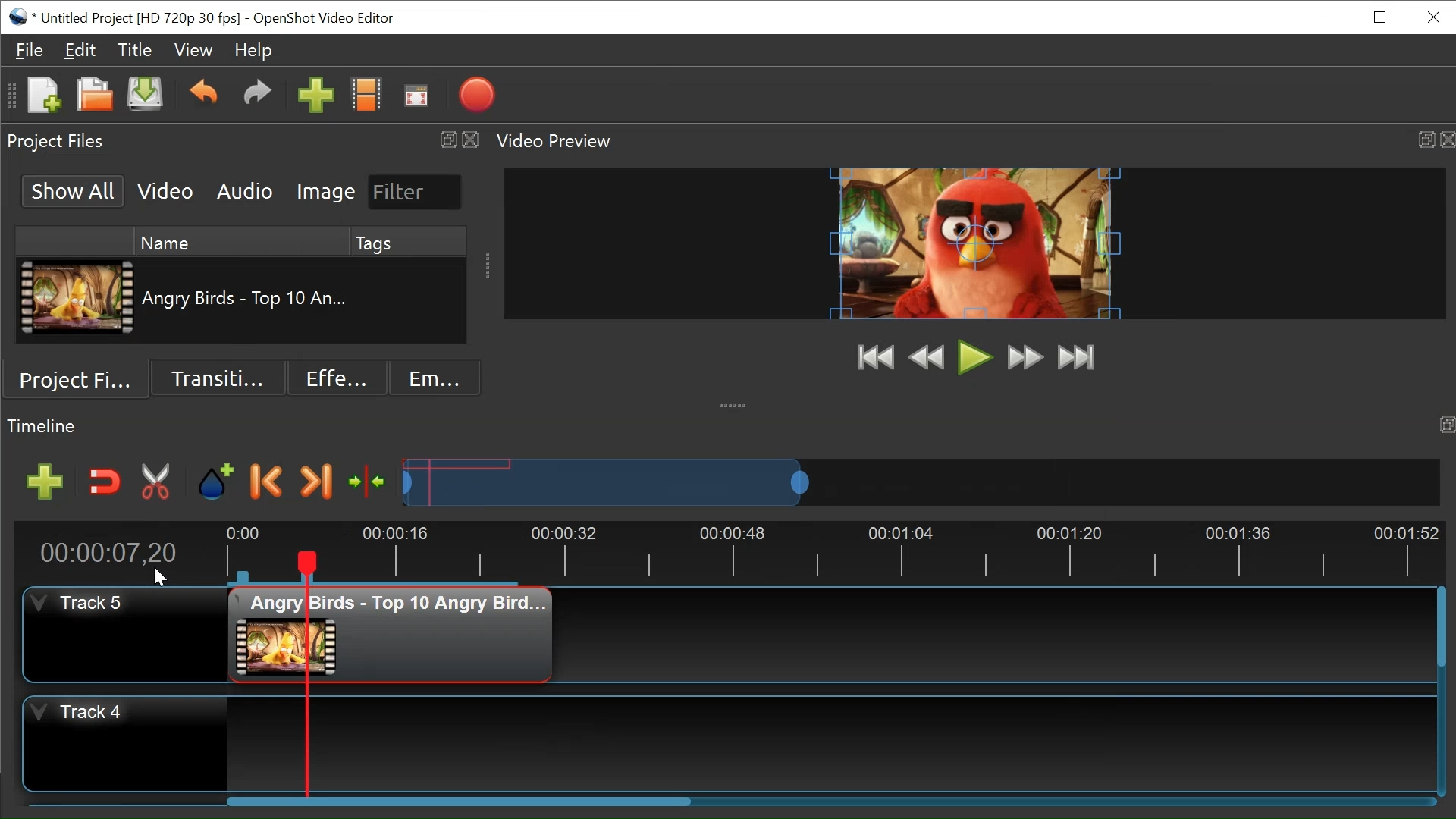 This screenshot has height=819, width=1456. I want to click on Window Preview, so click(976, 244).